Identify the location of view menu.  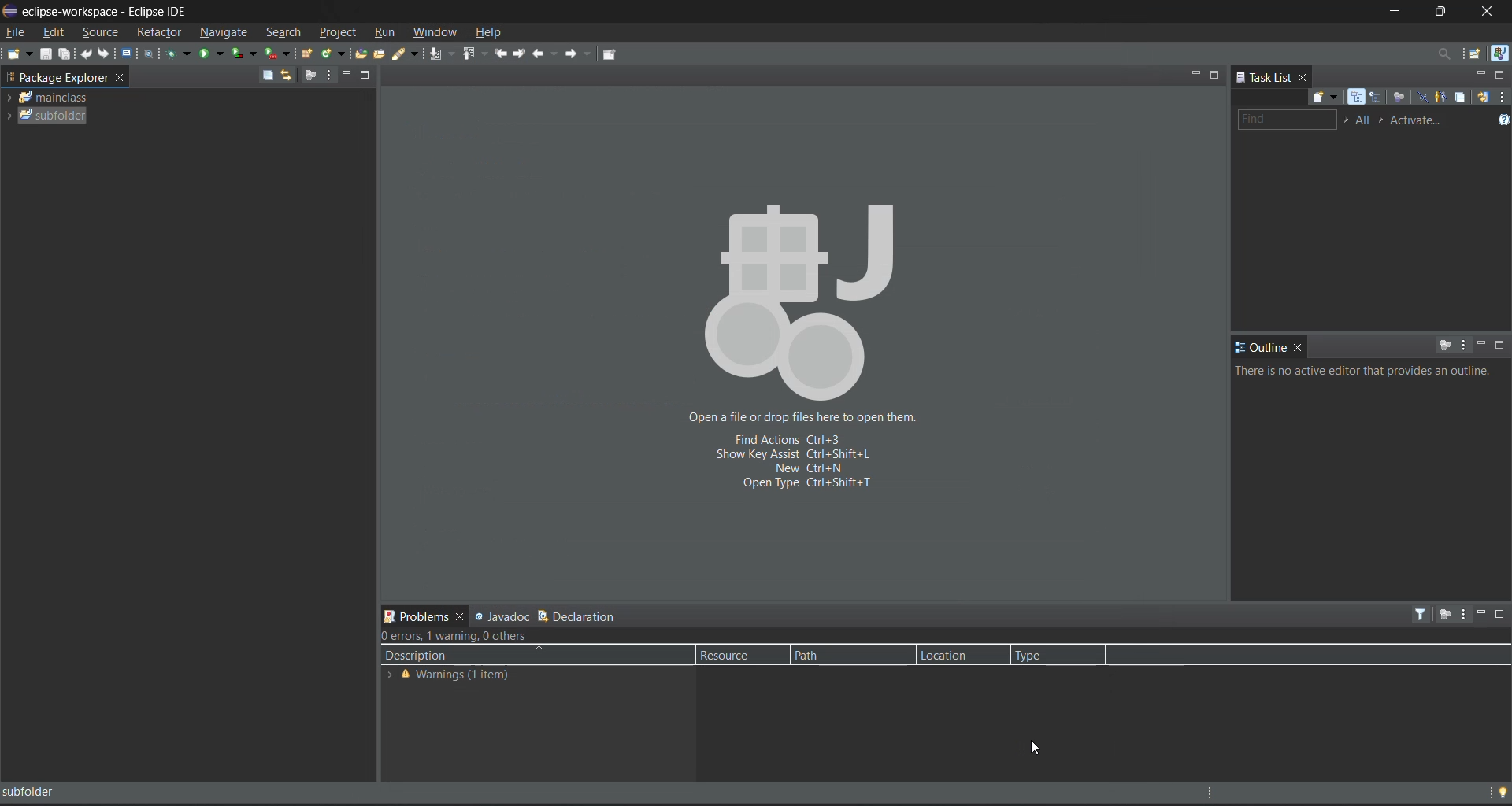
(1462, 344).